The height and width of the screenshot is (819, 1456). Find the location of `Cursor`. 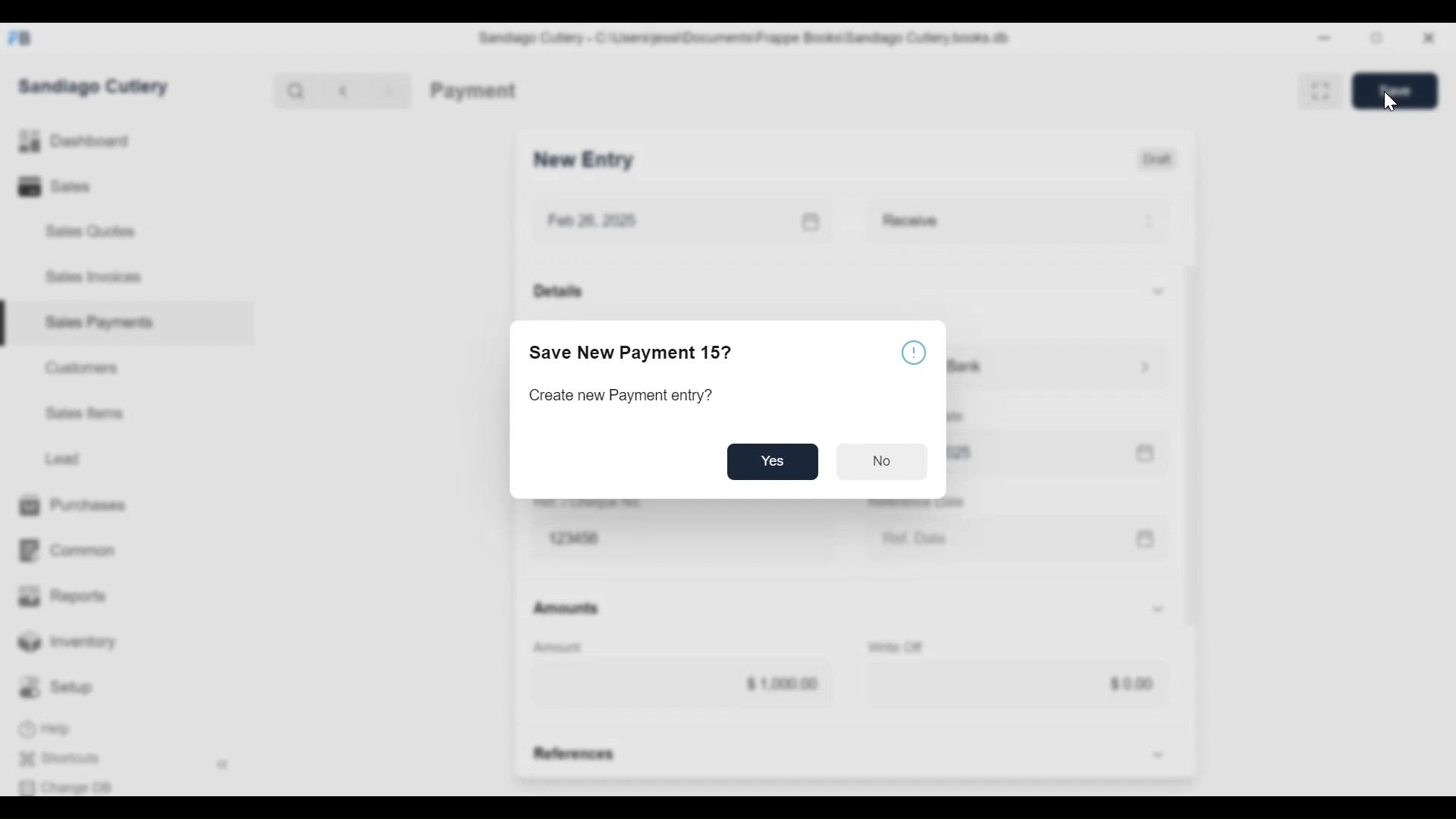

Cursor is located at coordinates (1390, 100).